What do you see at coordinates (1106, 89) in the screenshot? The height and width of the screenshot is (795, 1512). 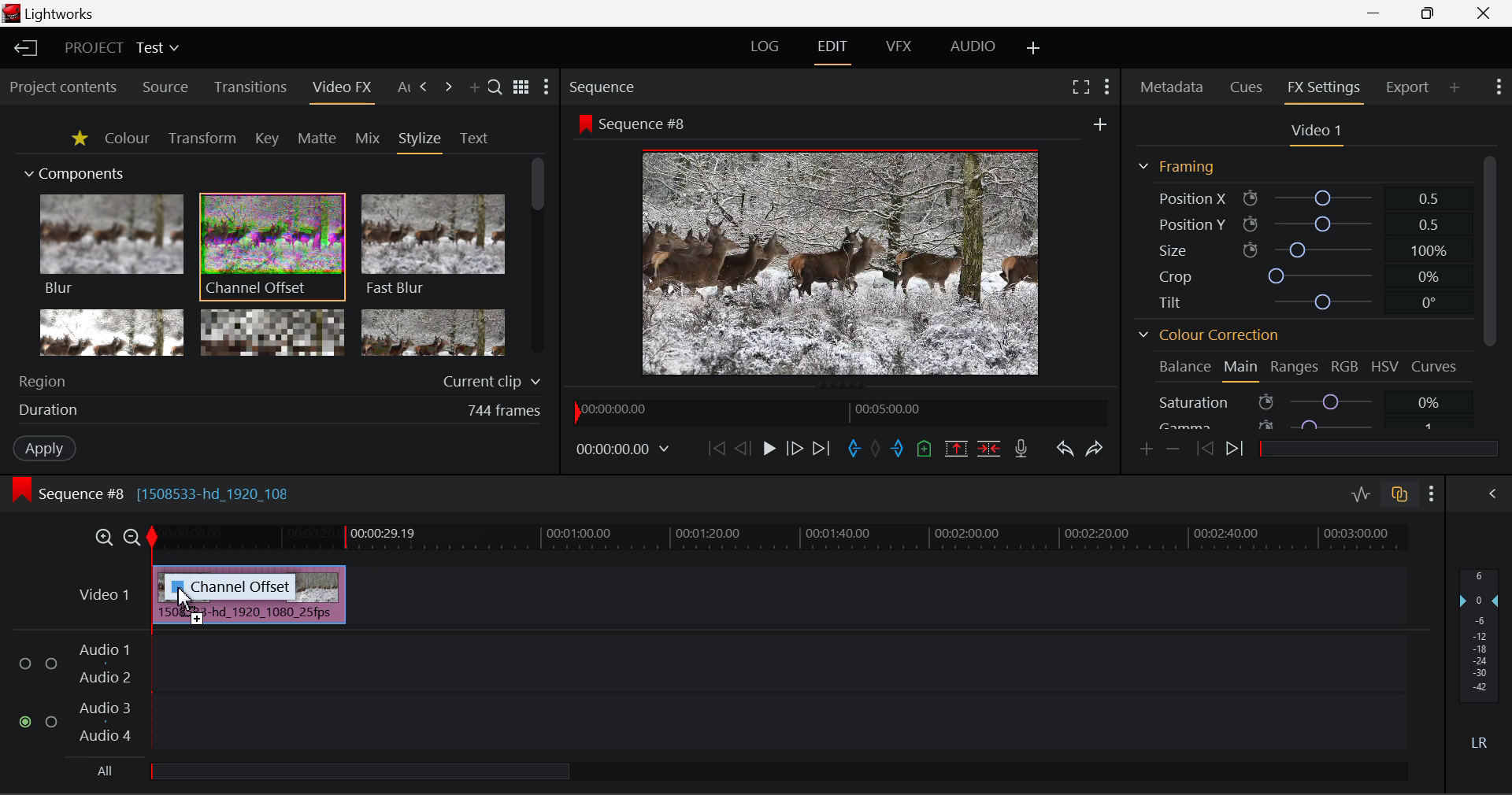 I see `Show Settings` at bounding box center [1106, 89].